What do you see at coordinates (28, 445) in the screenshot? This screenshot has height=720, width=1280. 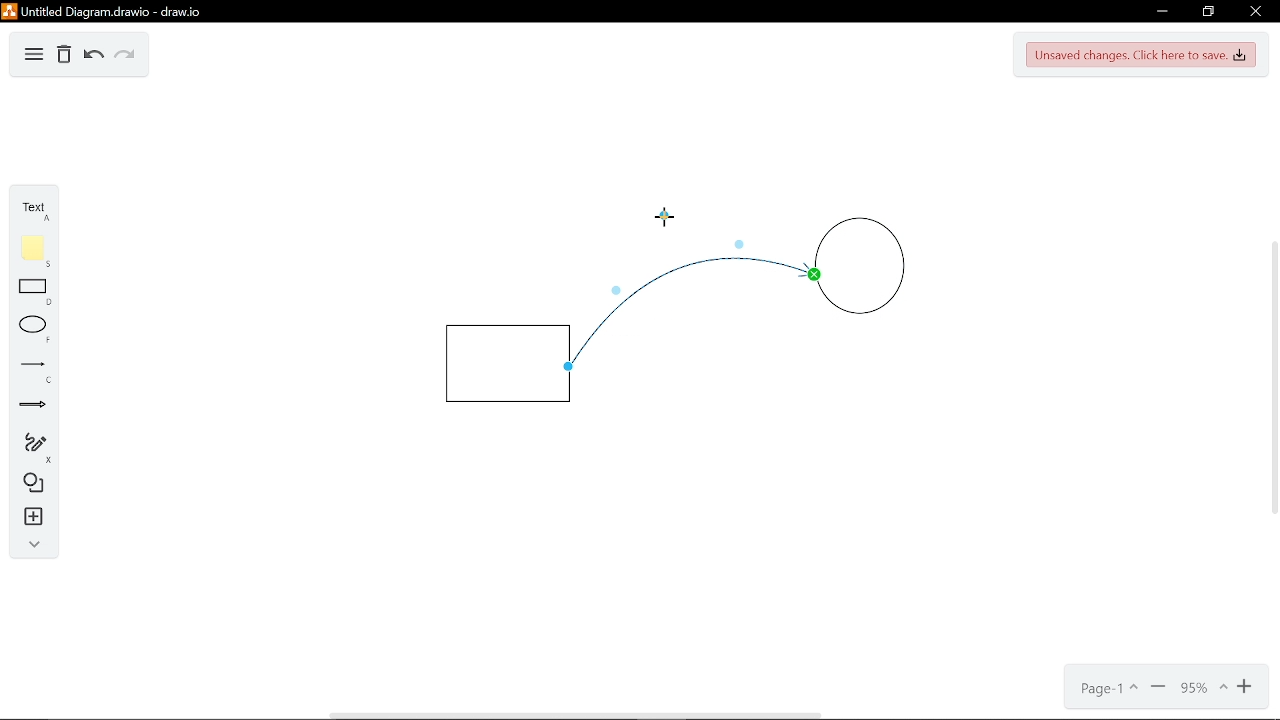 I see `Freehand` at bounding box center [28, 445].